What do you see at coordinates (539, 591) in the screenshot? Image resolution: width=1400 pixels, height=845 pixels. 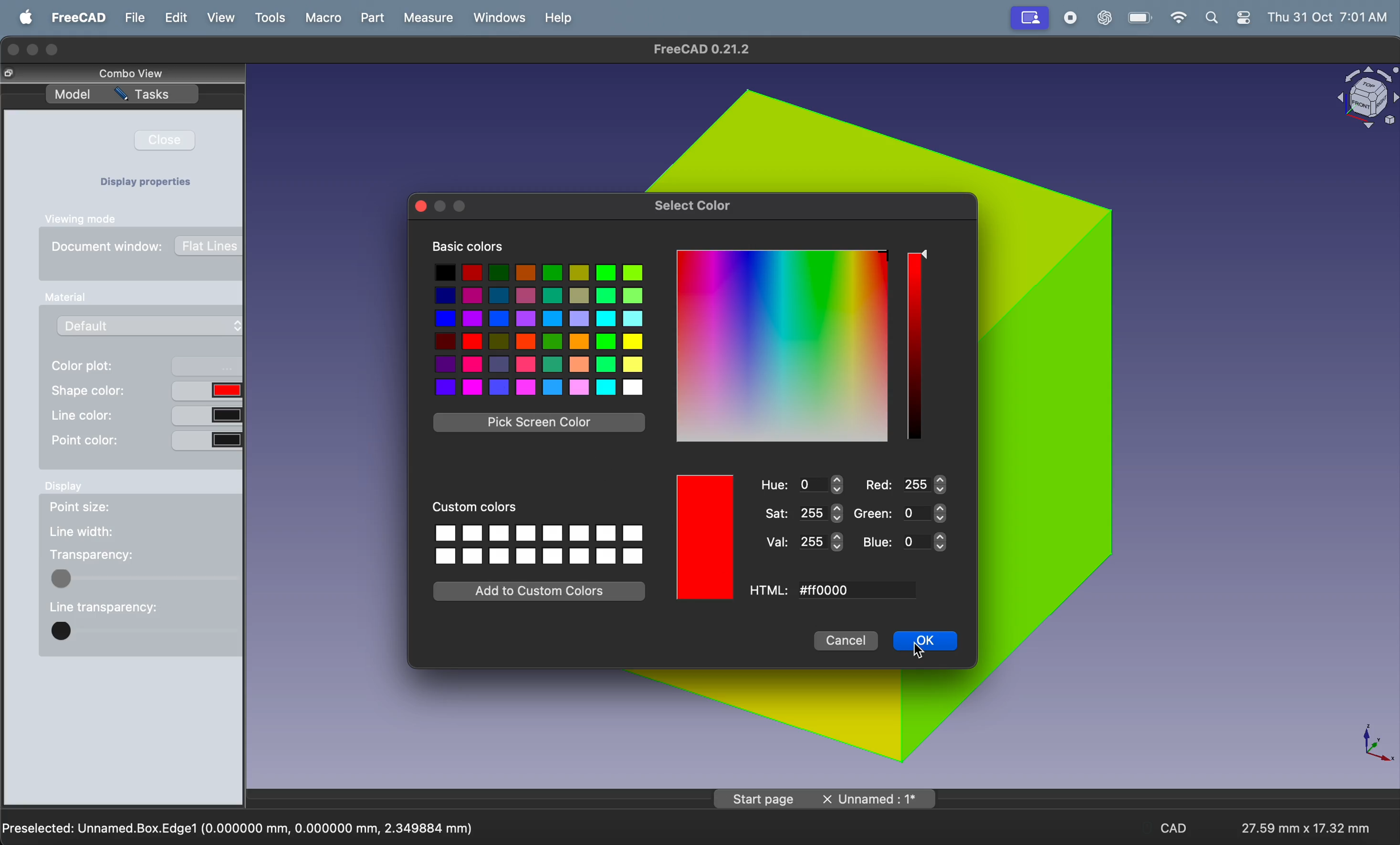 I see `add custom colors` at bounding box center [539, 591].